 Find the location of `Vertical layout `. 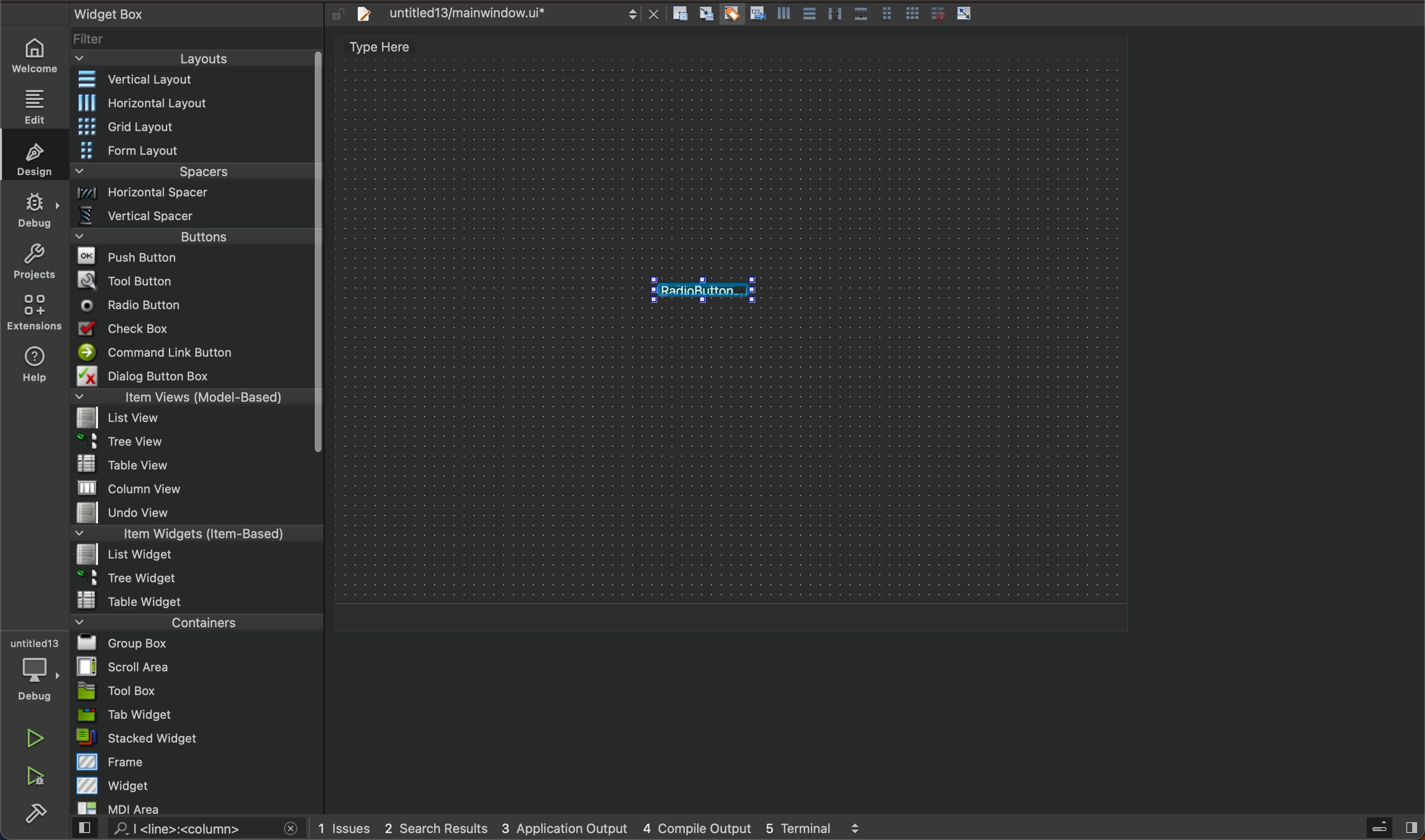

Vertical layout  is located at coordinates (194, 80).